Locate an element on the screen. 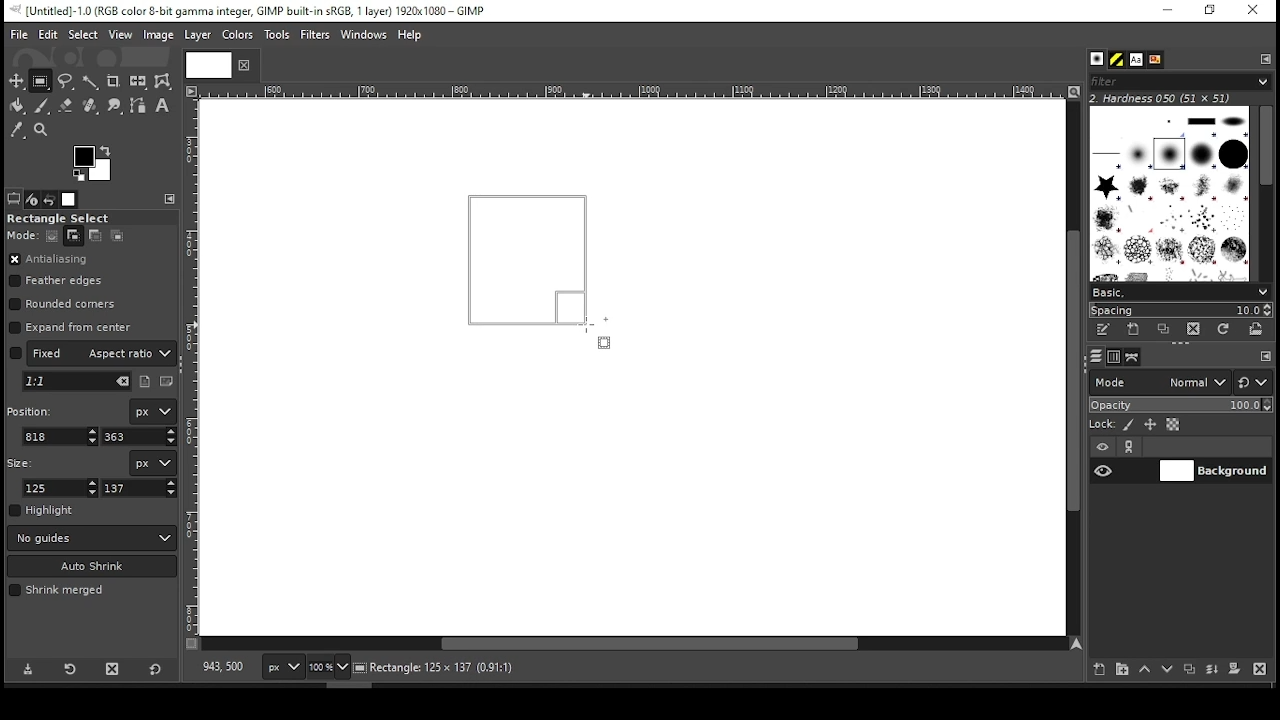 The width and height of the screenshot is (1280, 720). paths tool is located at coordinates (139, 107).